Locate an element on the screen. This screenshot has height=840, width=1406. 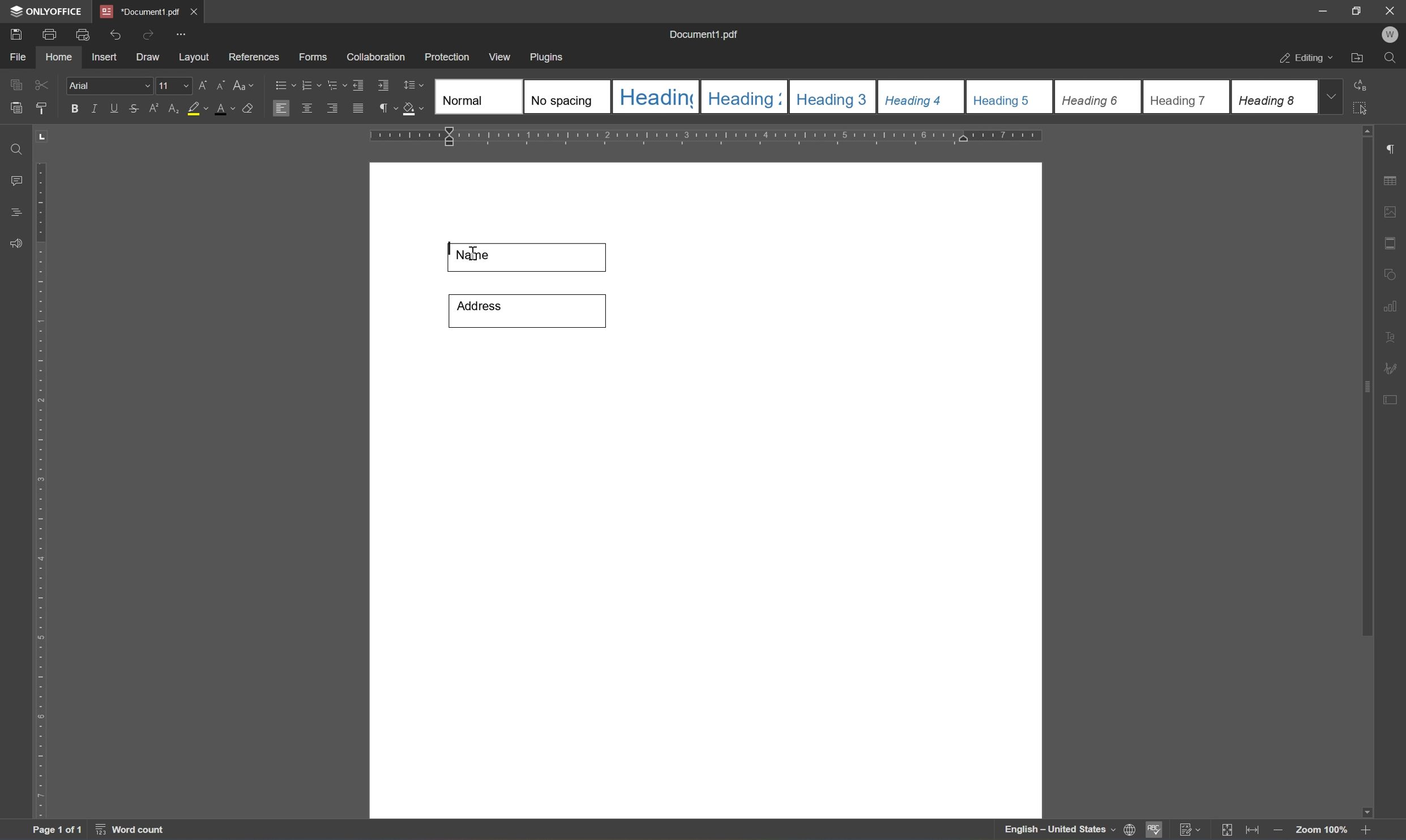
zoom 100% is located at coordinates (1321, 829).